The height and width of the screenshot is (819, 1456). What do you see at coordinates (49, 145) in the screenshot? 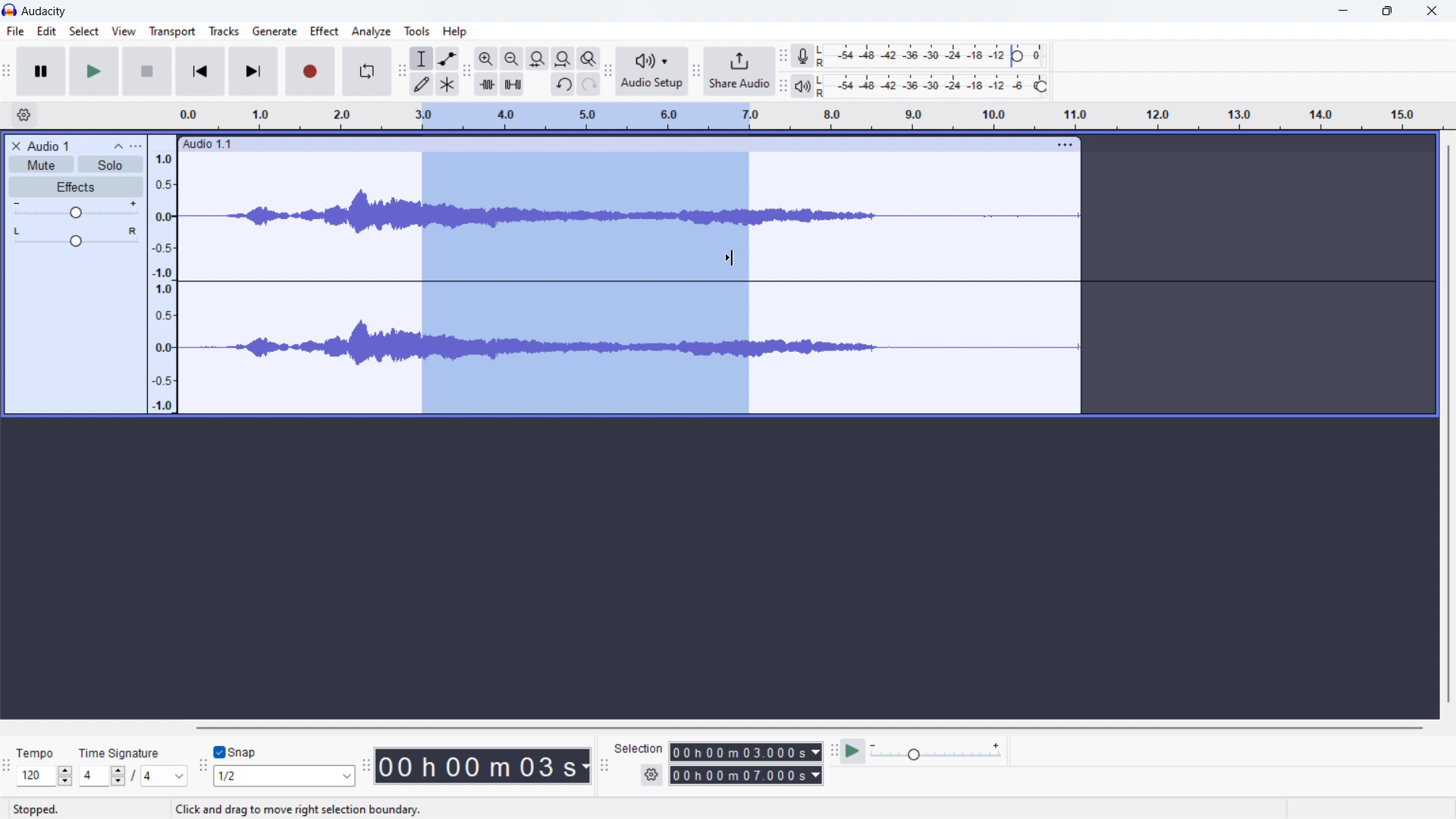
I see `Audio 1` at bounding box center [49, 145].